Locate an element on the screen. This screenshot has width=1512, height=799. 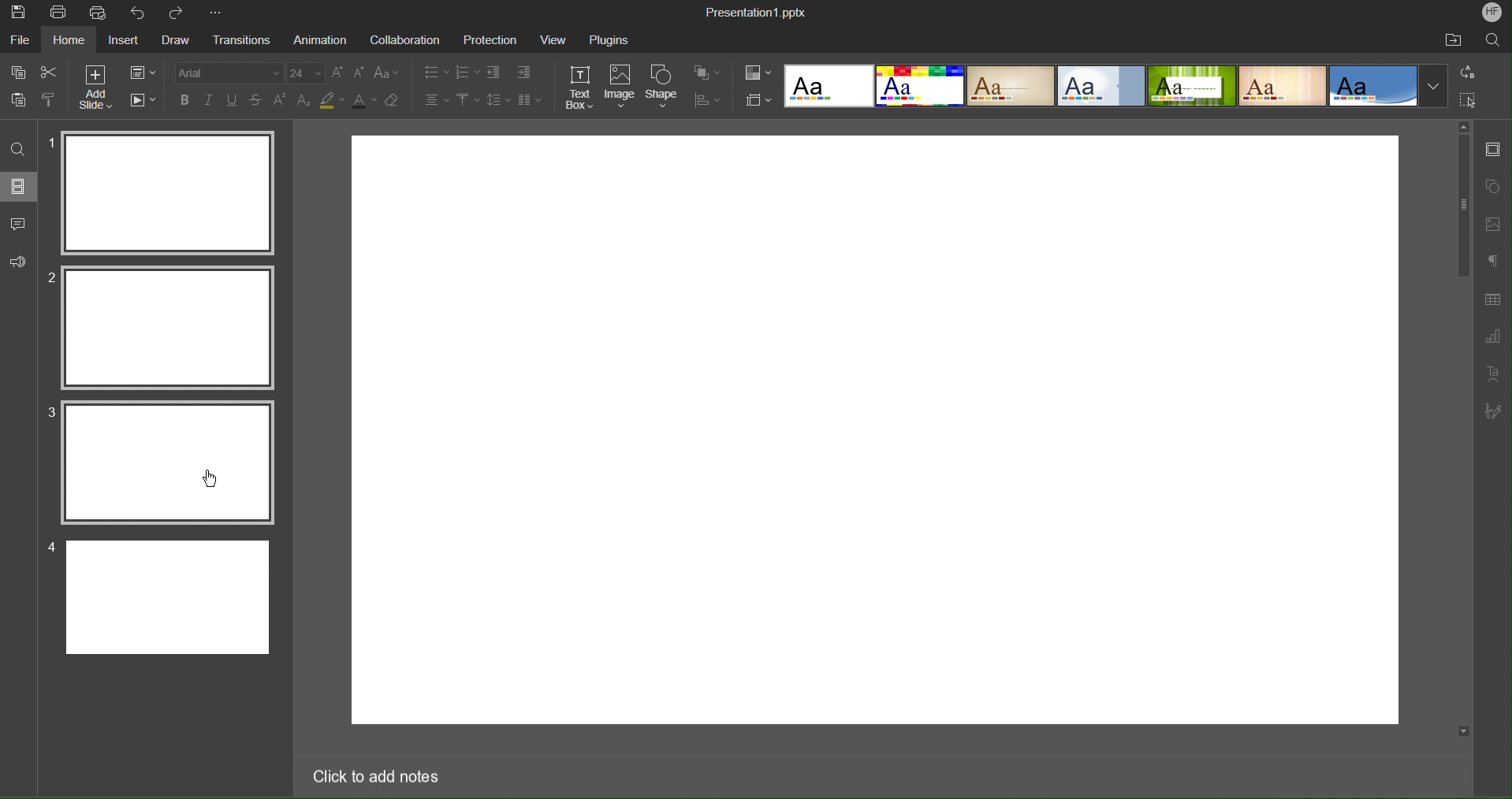
Click to add notes is located at coordinates (378, 779).